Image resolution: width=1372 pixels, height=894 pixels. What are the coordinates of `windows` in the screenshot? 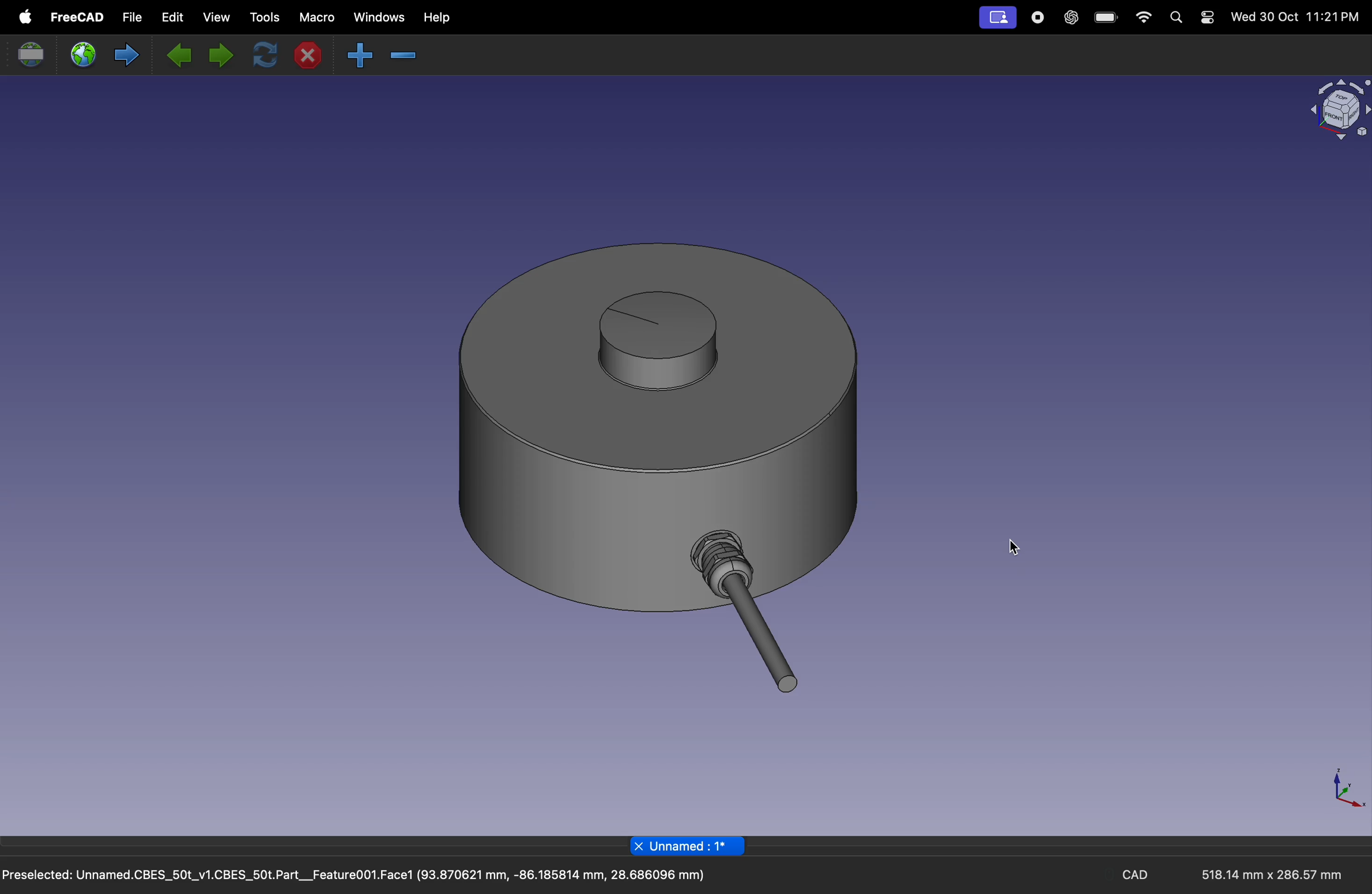 It's located at (377, 18).